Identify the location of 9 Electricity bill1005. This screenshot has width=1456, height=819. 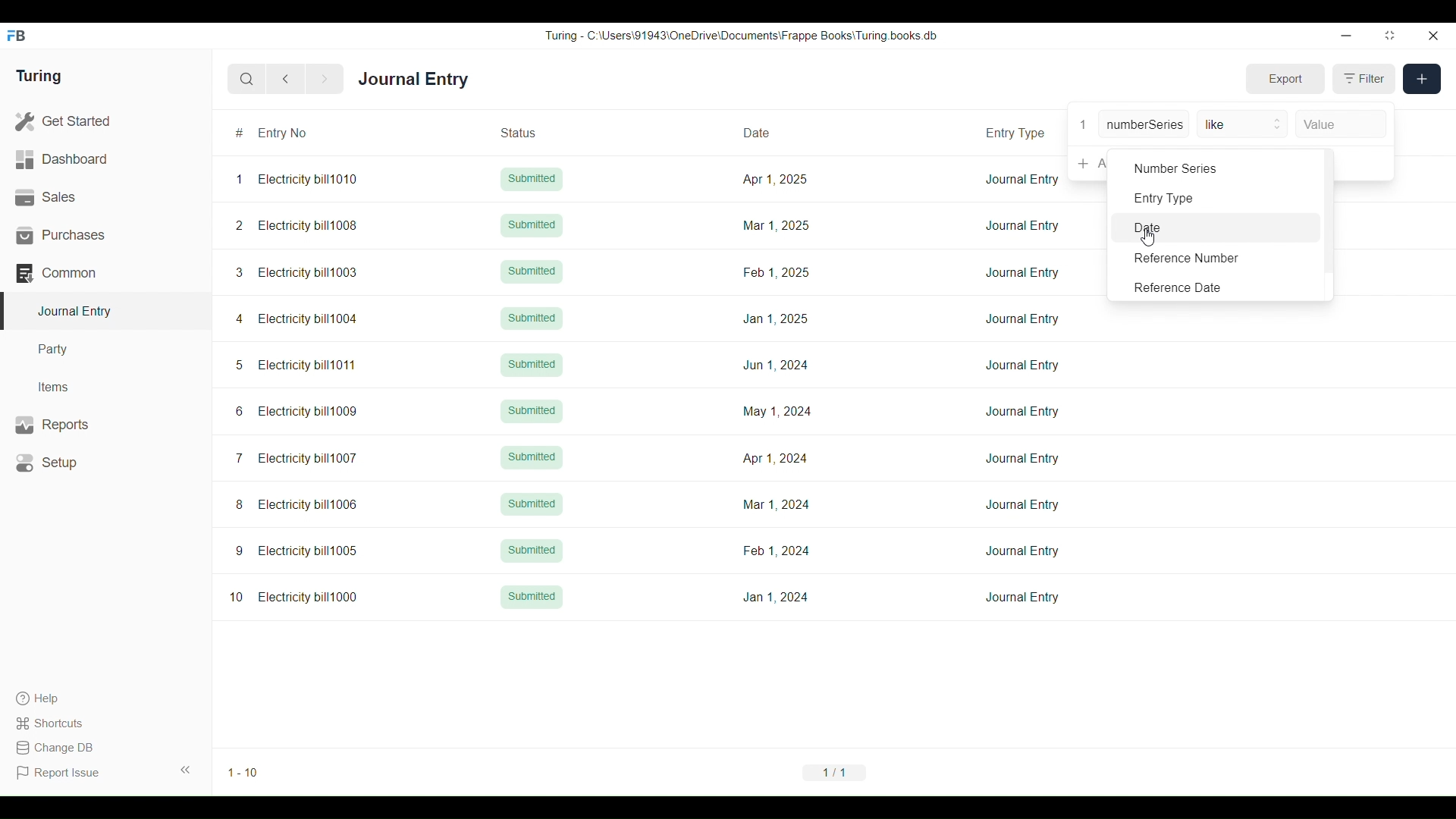
(297, 551).